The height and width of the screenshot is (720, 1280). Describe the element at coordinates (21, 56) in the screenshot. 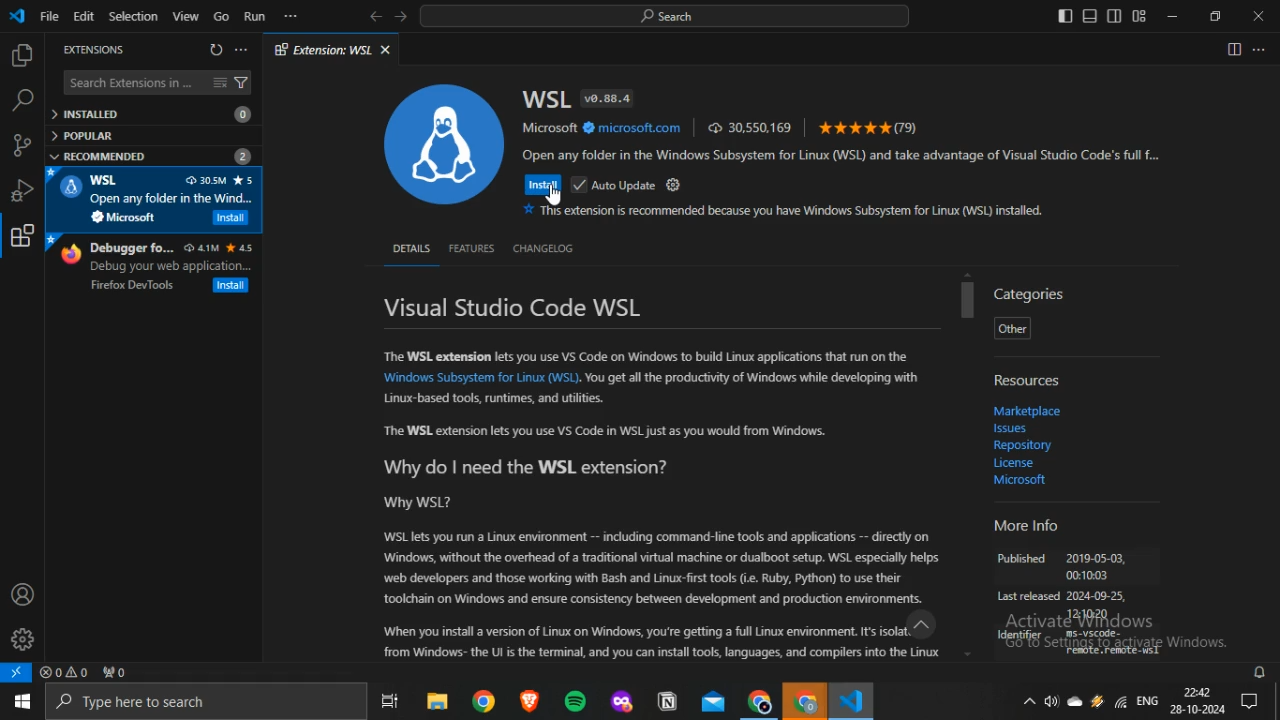

I see `explorer` at that location.